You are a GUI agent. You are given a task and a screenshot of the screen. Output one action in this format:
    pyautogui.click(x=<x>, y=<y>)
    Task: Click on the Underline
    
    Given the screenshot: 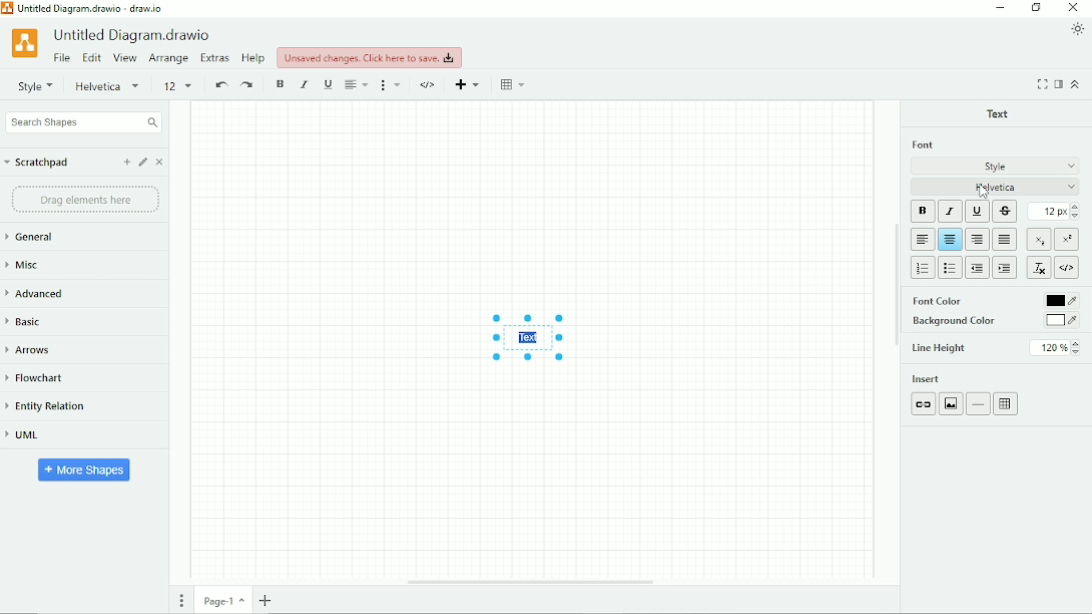 What is the action you would take?
    pyautogui.click(x=977, y=212)
    